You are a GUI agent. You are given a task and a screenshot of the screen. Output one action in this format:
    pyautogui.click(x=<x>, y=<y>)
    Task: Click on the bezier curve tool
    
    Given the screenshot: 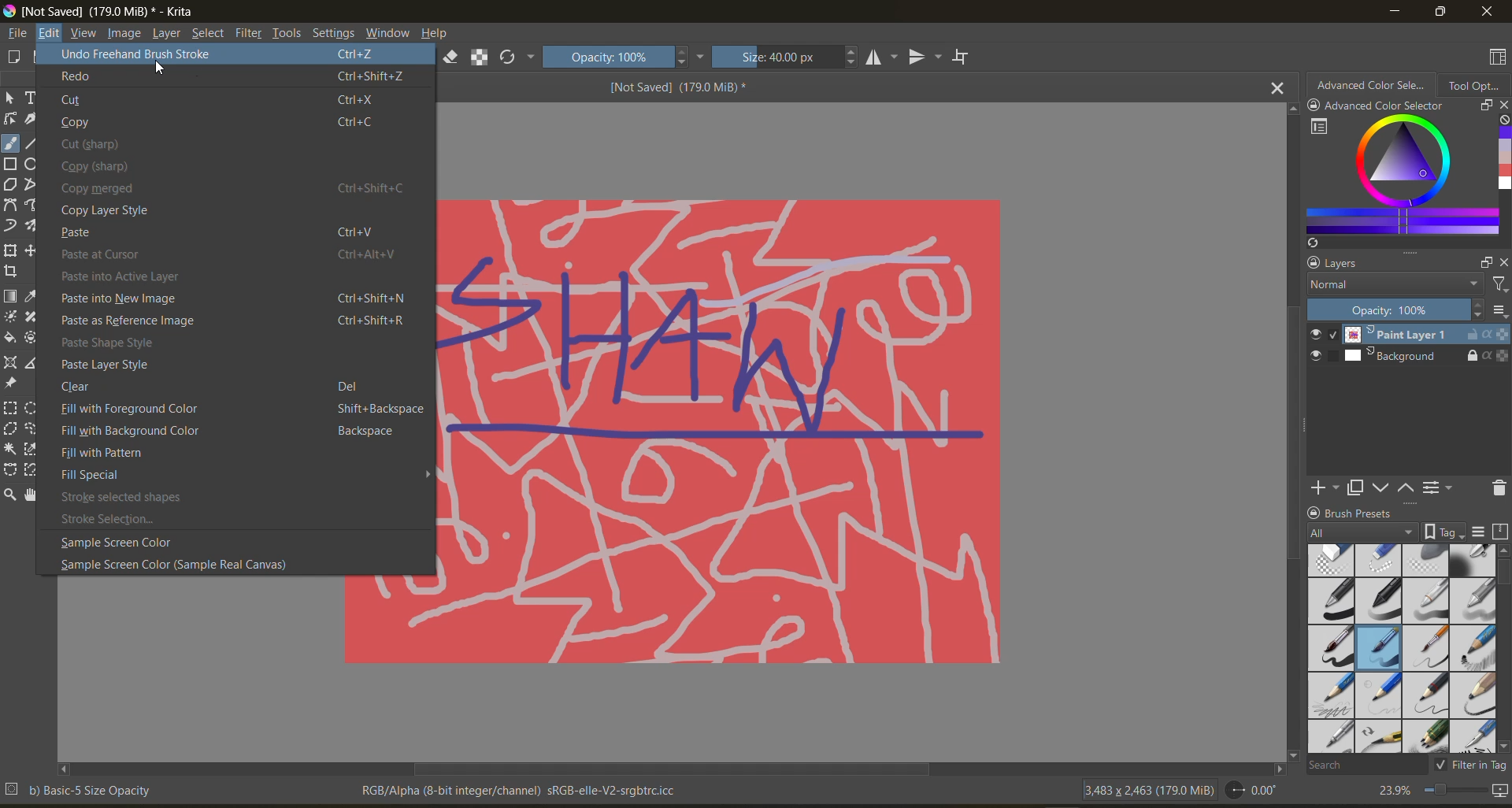 What is the action you would take?
    pyautogui.click(x=10, y=205)
    